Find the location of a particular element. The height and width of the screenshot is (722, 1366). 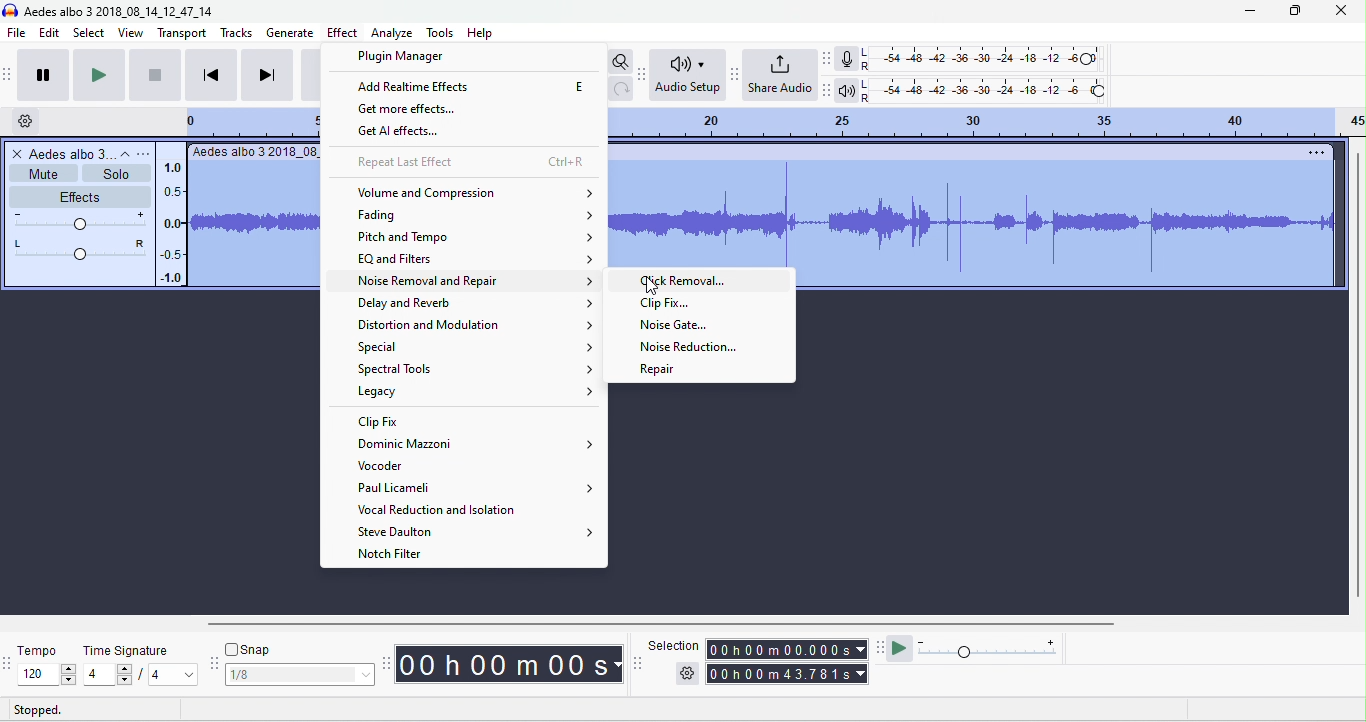

share audio is located at coordinates (781, 76).